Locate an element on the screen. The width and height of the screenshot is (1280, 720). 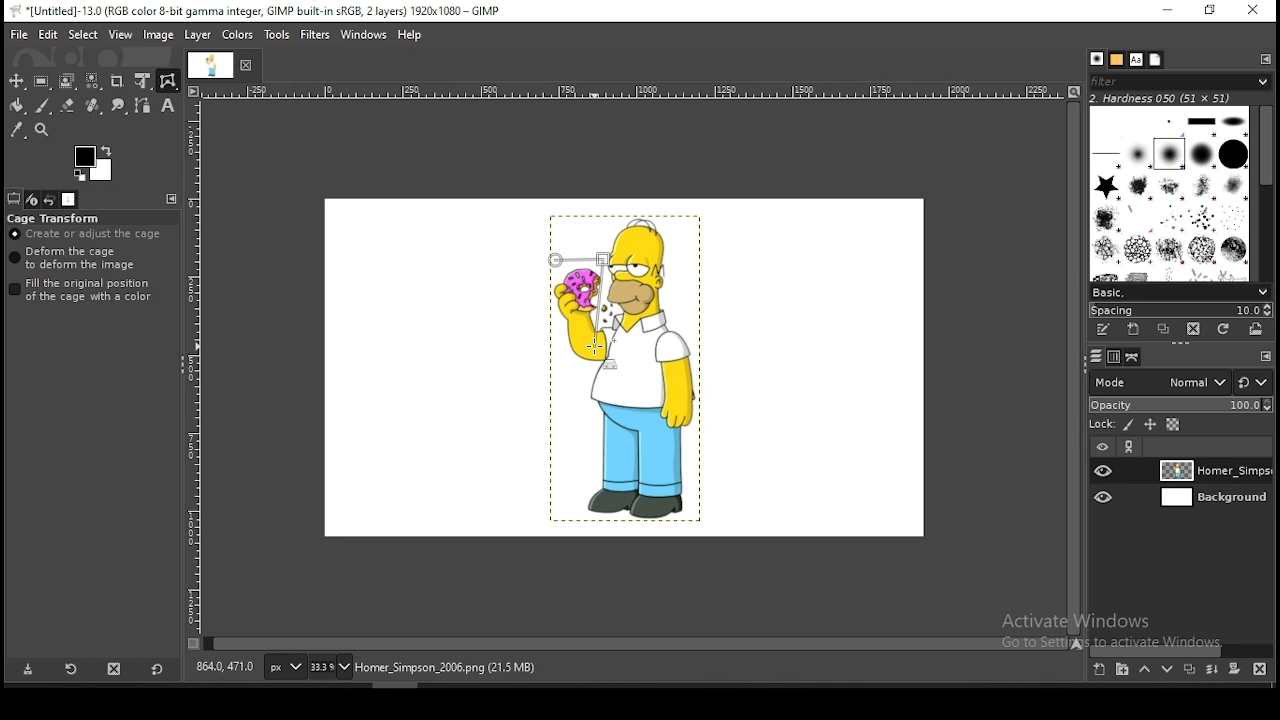
paths is located at coordinates (1130, 357).